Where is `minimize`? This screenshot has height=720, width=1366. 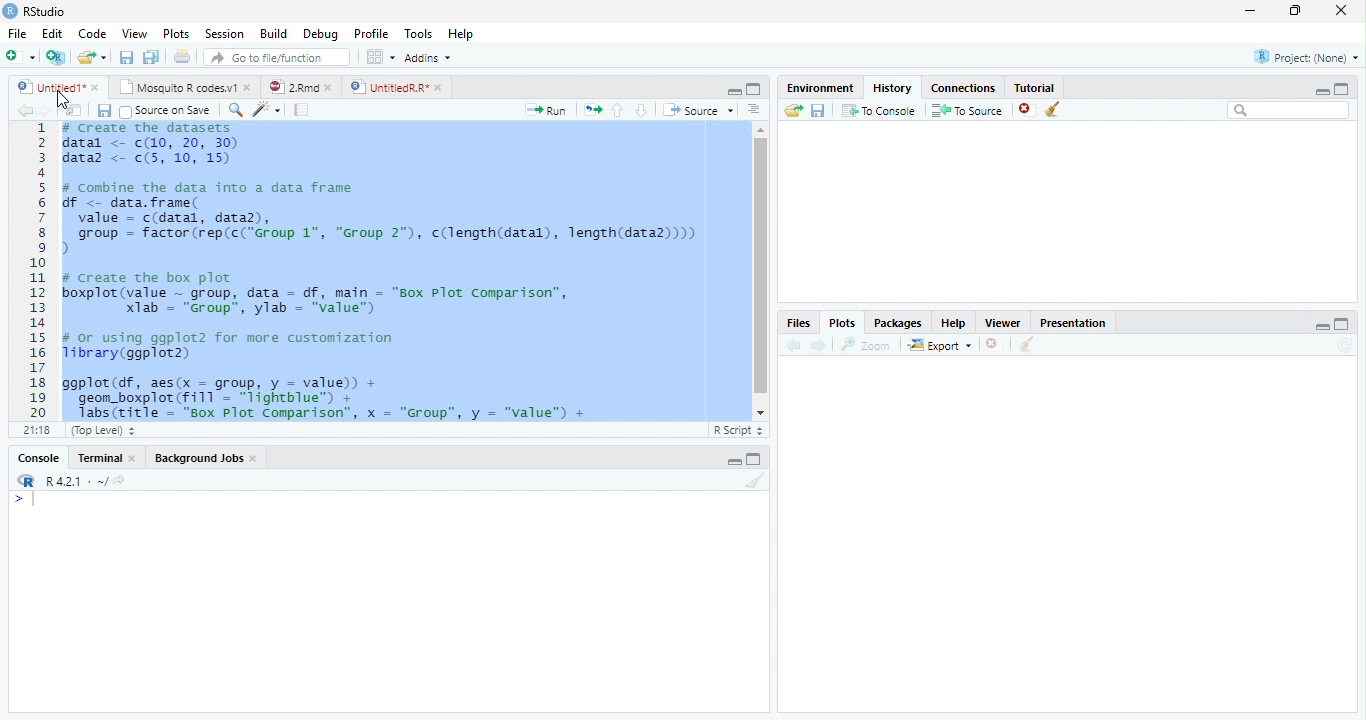 minimize is located at coordinates (1251, 10).